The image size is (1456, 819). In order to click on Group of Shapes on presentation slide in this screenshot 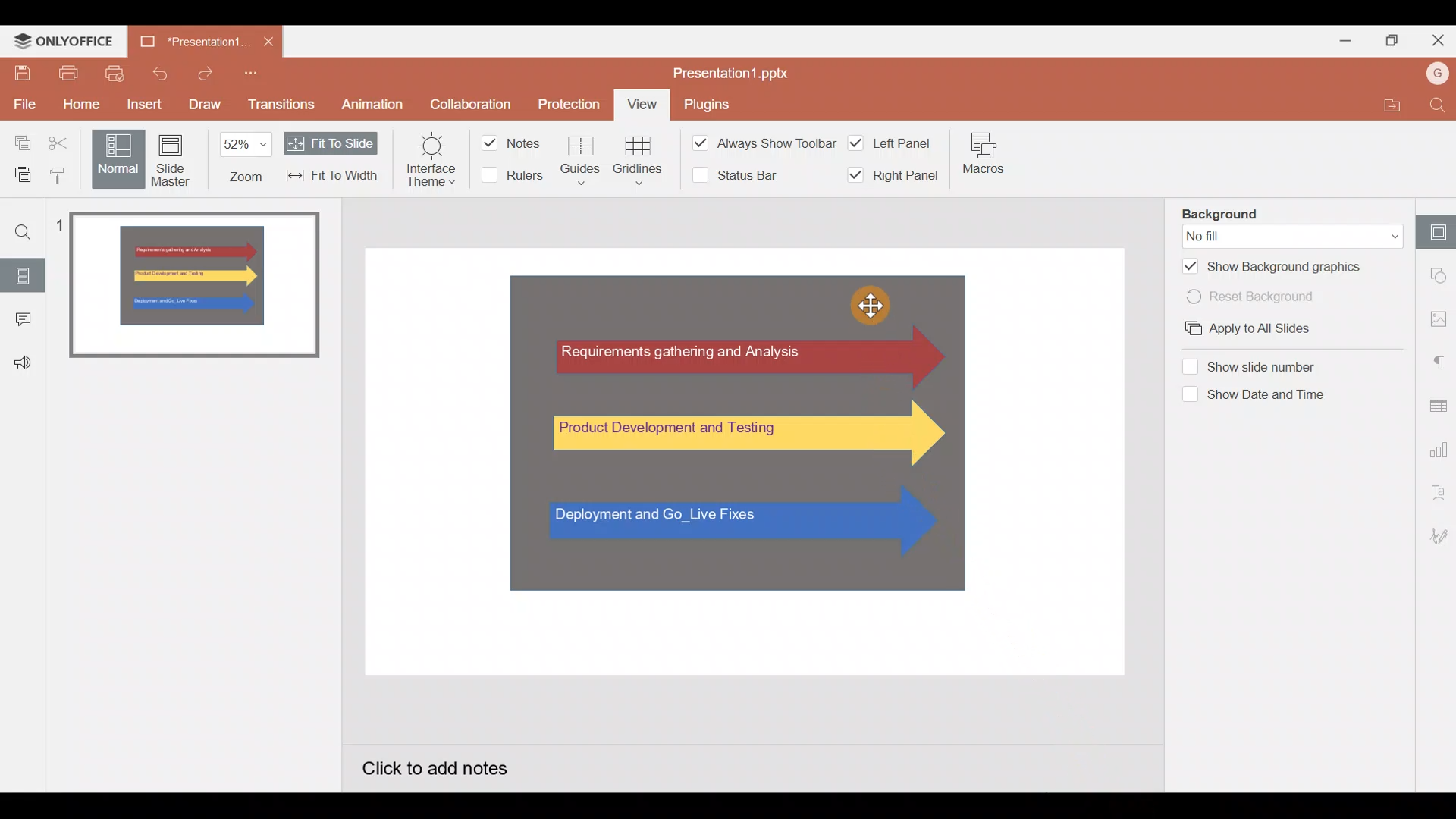, I will do `click(734, 431)`.